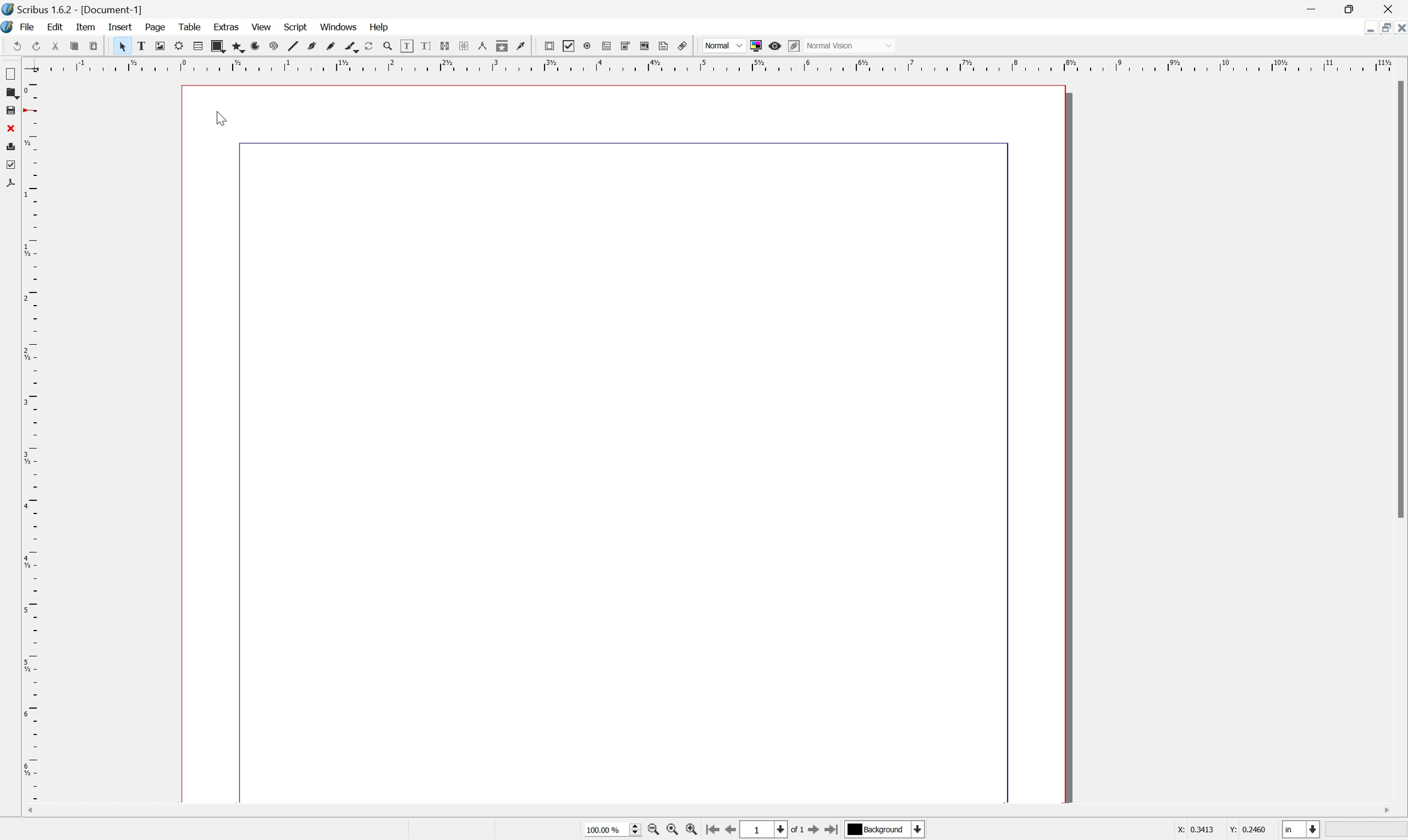 The height and width of the screenshot is (840, 1408). I want to click on freehand line, so click(463, 45).